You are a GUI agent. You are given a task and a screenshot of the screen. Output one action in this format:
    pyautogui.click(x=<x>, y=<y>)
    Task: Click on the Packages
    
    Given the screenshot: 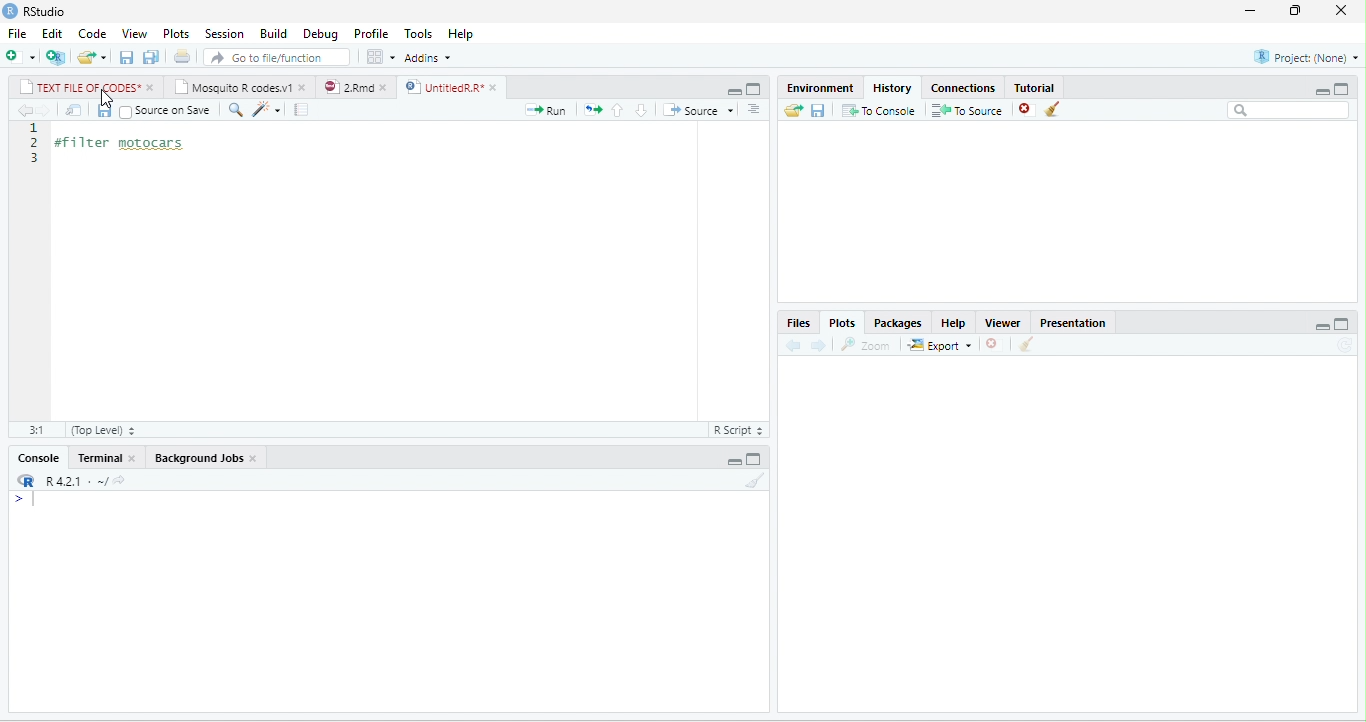 What is the action you would take?
    pyautogui.click(x=898, y=323)
    